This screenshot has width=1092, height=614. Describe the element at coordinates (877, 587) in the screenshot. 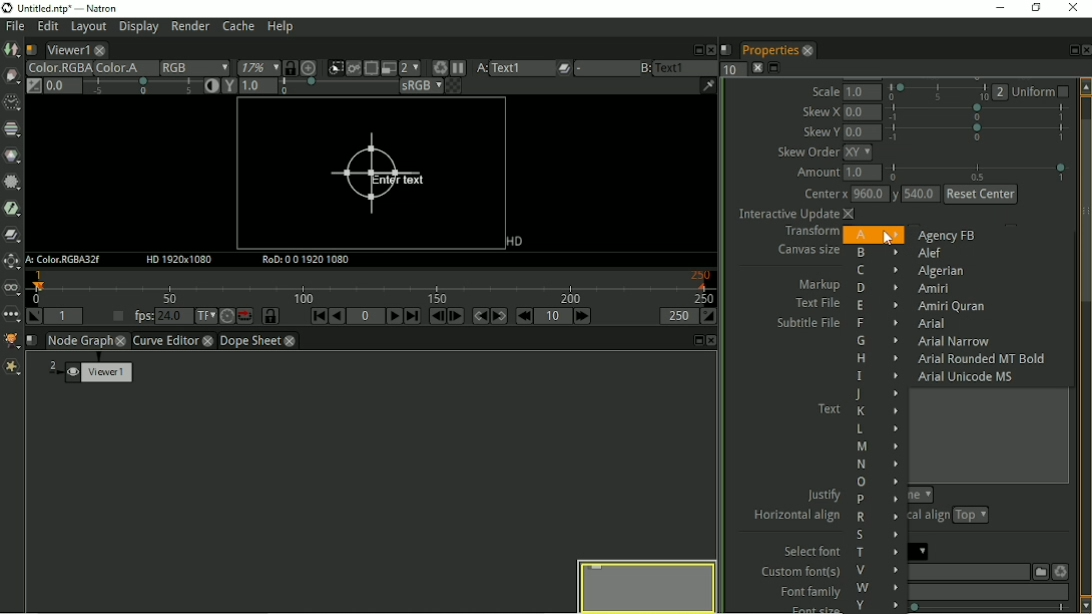

I see `W` at that location.